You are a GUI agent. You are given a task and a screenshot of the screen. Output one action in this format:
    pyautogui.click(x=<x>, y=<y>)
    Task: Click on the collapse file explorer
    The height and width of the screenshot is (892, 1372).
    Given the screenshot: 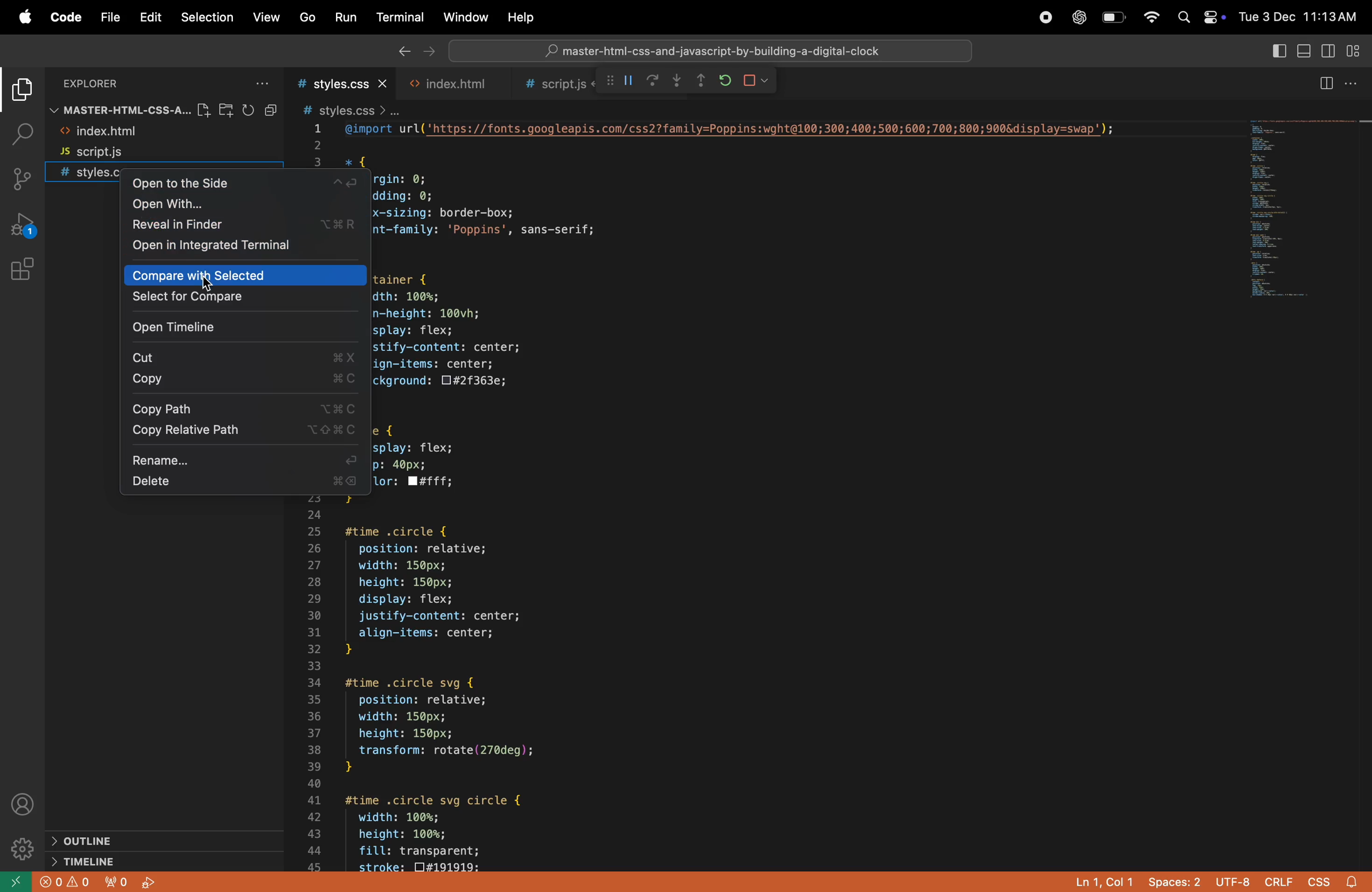 What is the action you would take?
    pyautogui.click(x=272, y=109)
    